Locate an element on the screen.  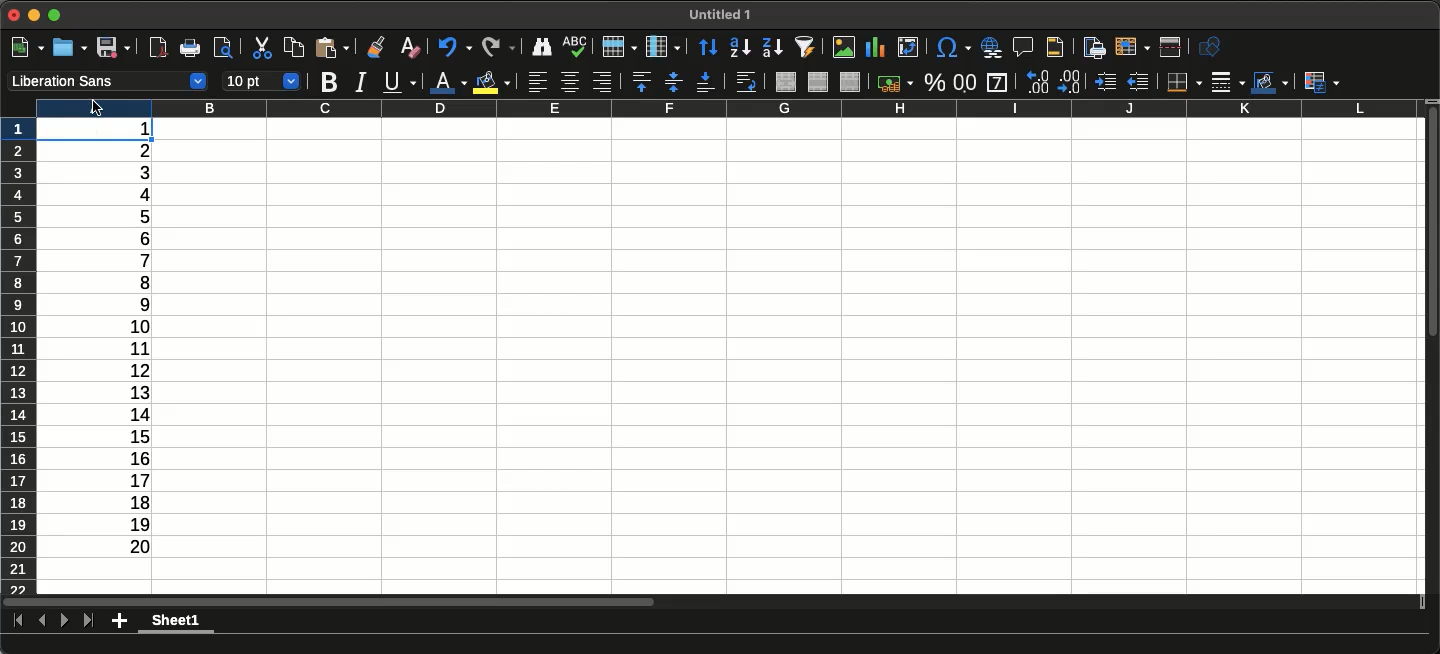
10 is located at coordinates (131, 326).